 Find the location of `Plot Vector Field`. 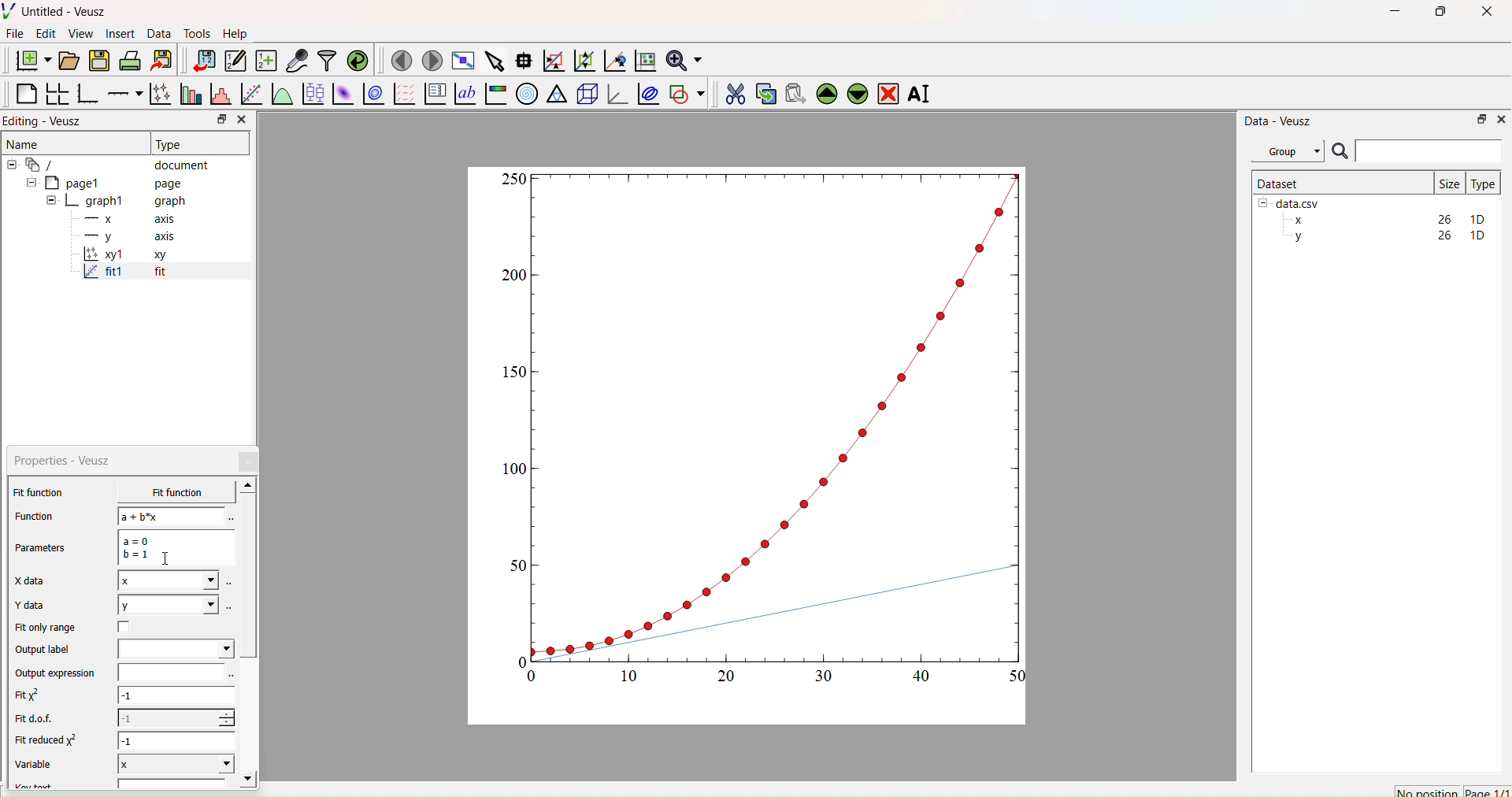

Plot Vector Field is located at coordinates (404, 95).